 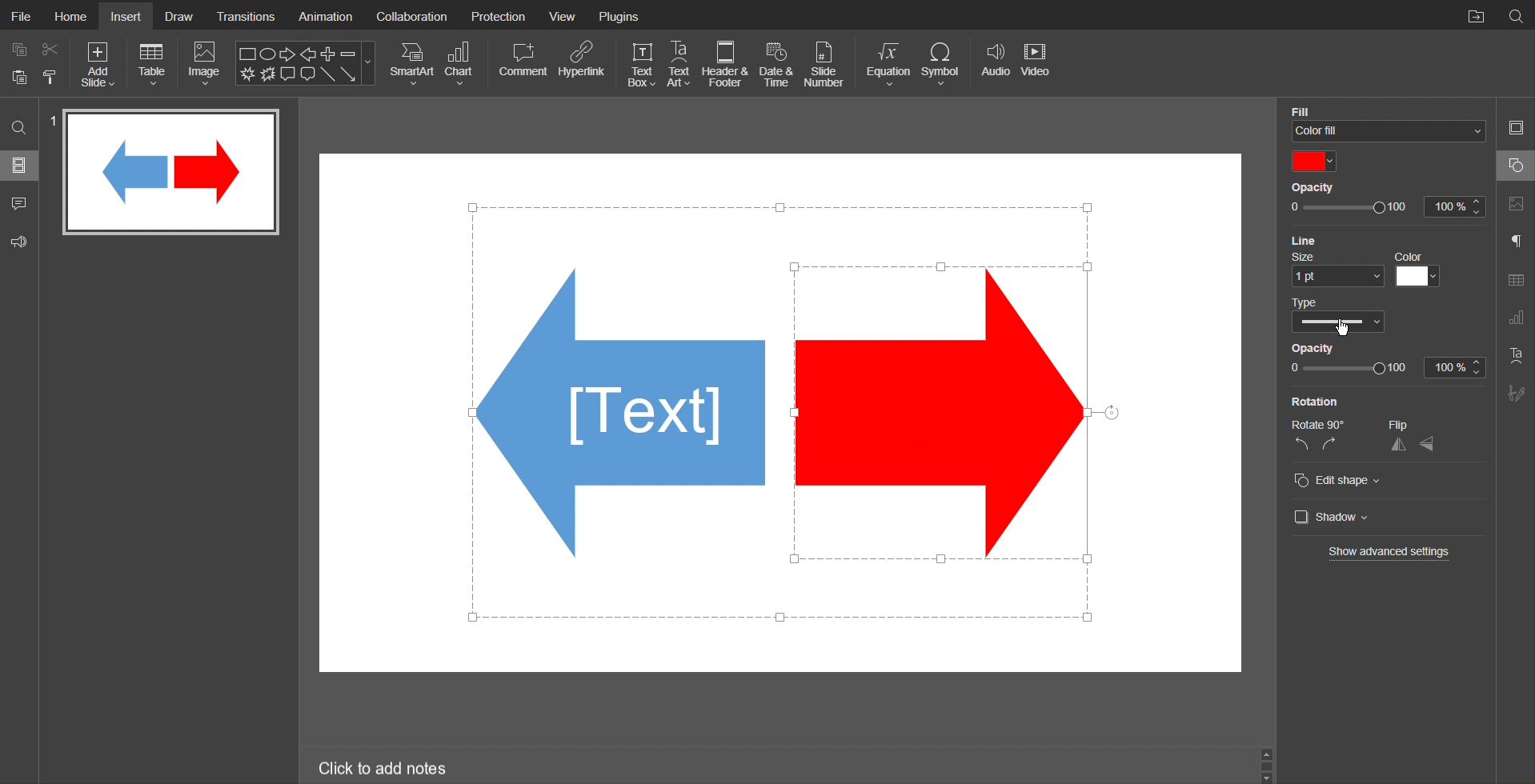 What do you see at coordinates (1269, 775) in the screenshot?
I see `down` at bounding box center [1269, 775].